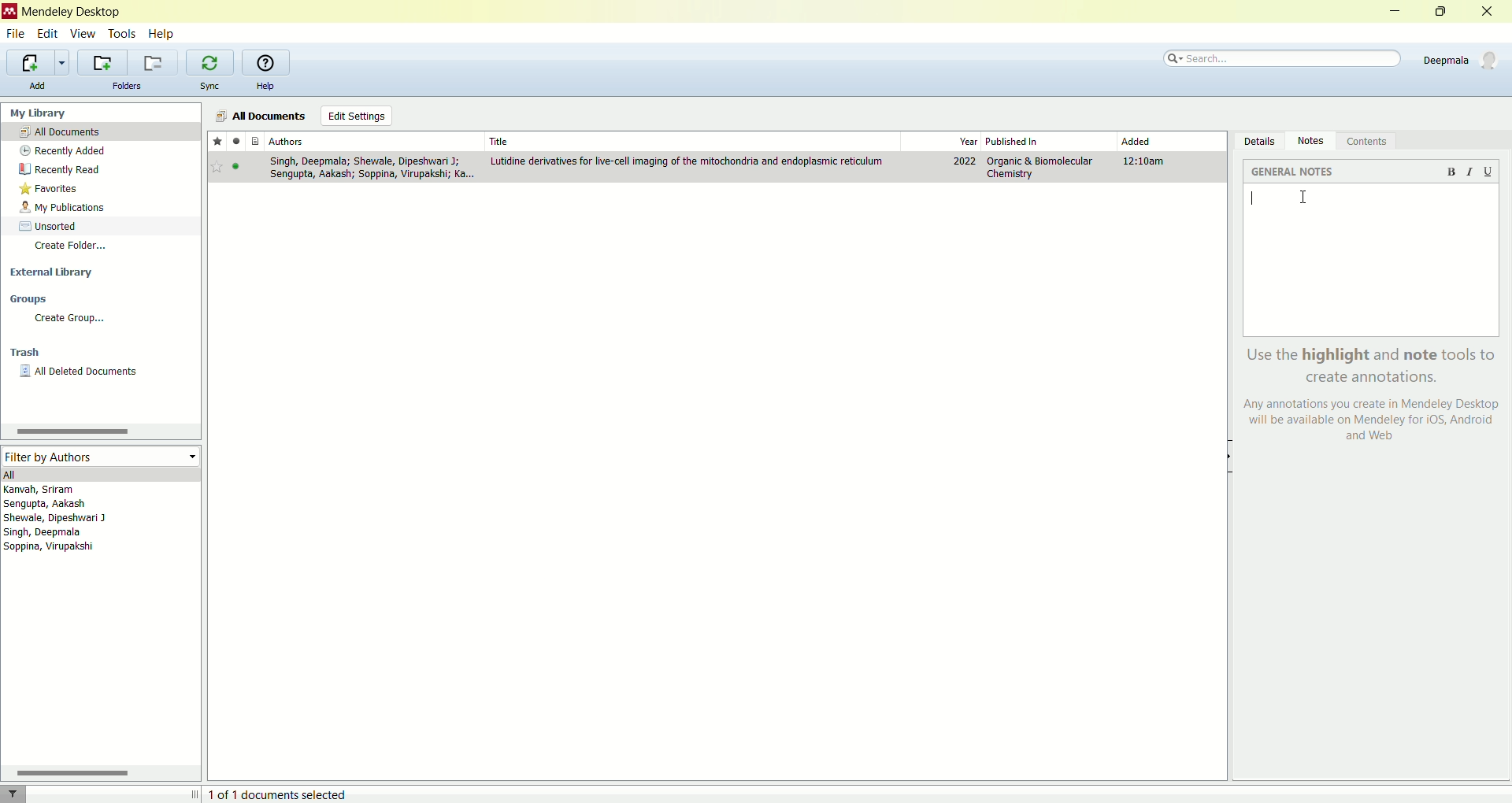  I want to click on groups, so click(98, 299).